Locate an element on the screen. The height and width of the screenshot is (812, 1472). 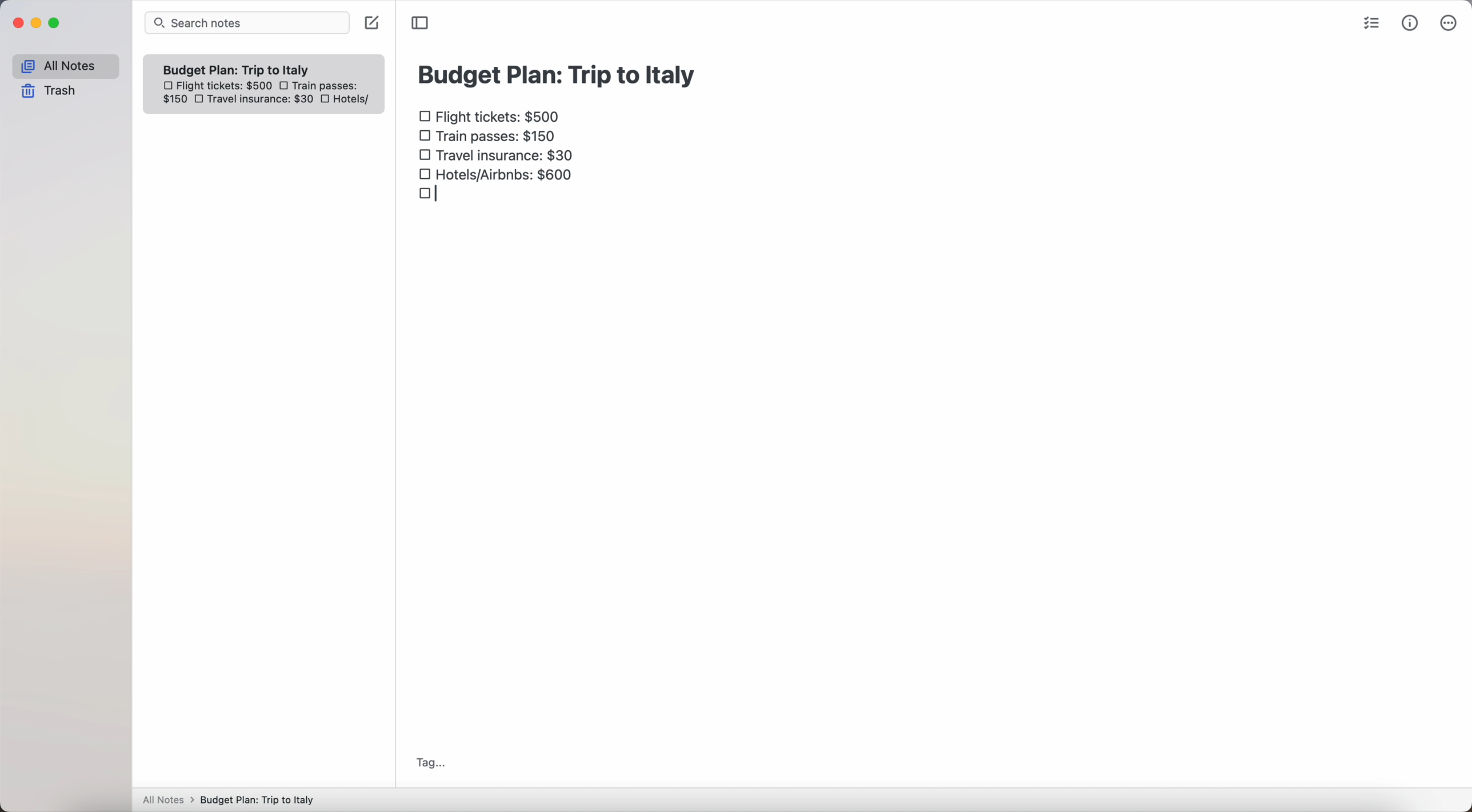
travel insurance: $30 checkbox is located at coordinates (498, 155).